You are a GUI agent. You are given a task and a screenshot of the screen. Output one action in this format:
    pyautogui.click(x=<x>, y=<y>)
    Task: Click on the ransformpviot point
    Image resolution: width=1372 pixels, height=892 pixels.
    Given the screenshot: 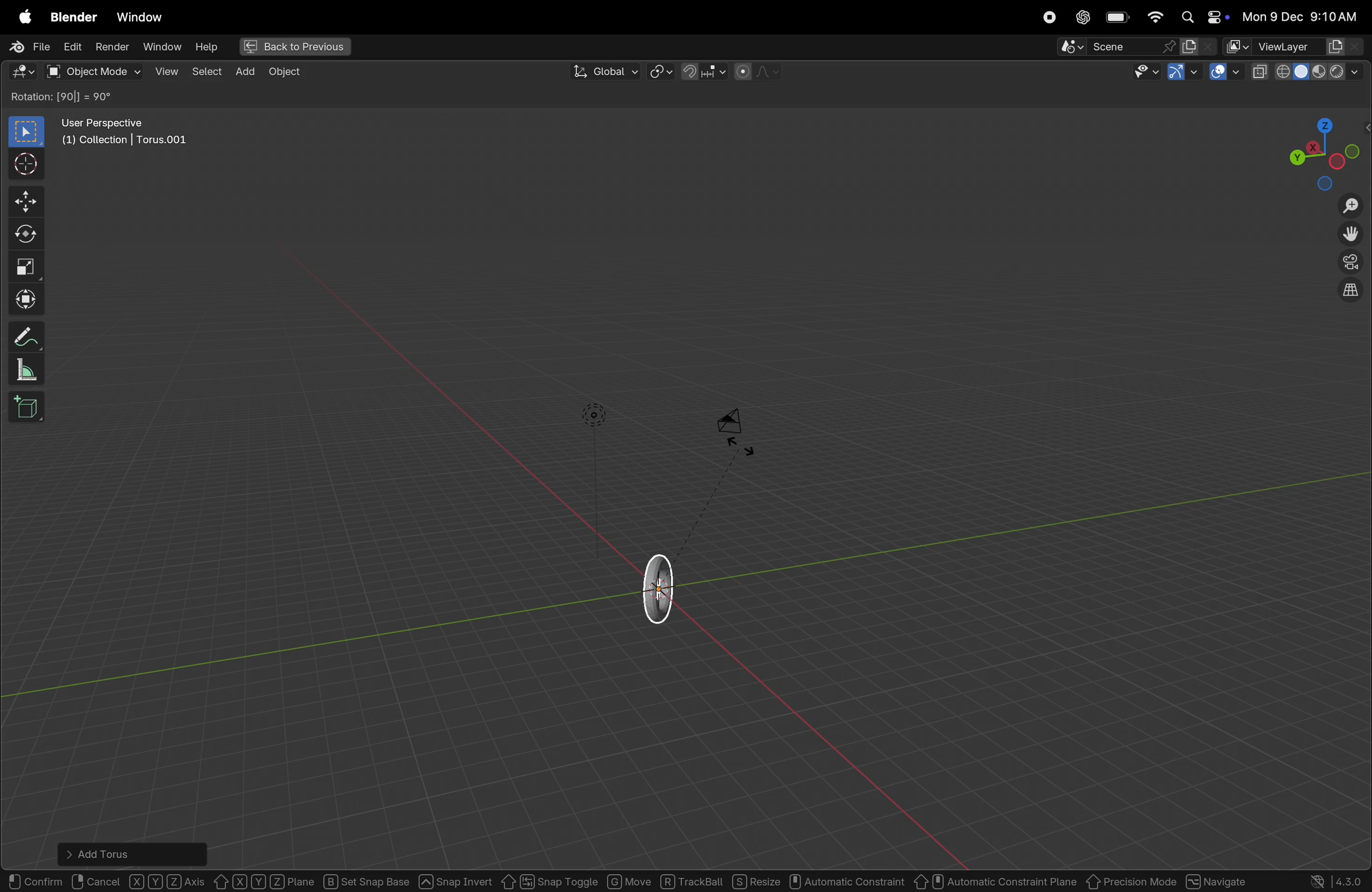 What is the action you would take?
    pyautogui.click(x=661, y=71)
    